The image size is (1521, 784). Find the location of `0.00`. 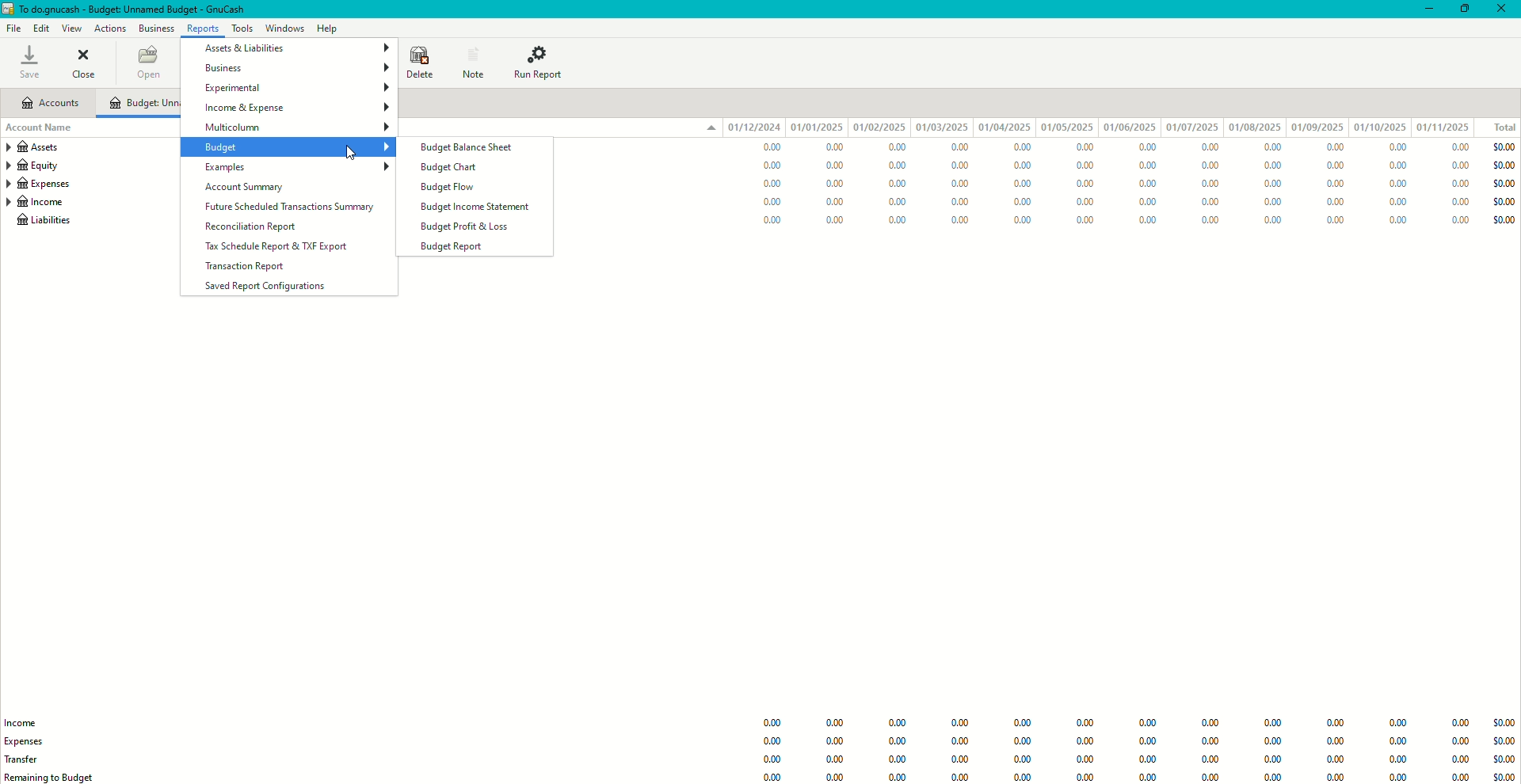

0.00 is located at coordinates (1459, 203).